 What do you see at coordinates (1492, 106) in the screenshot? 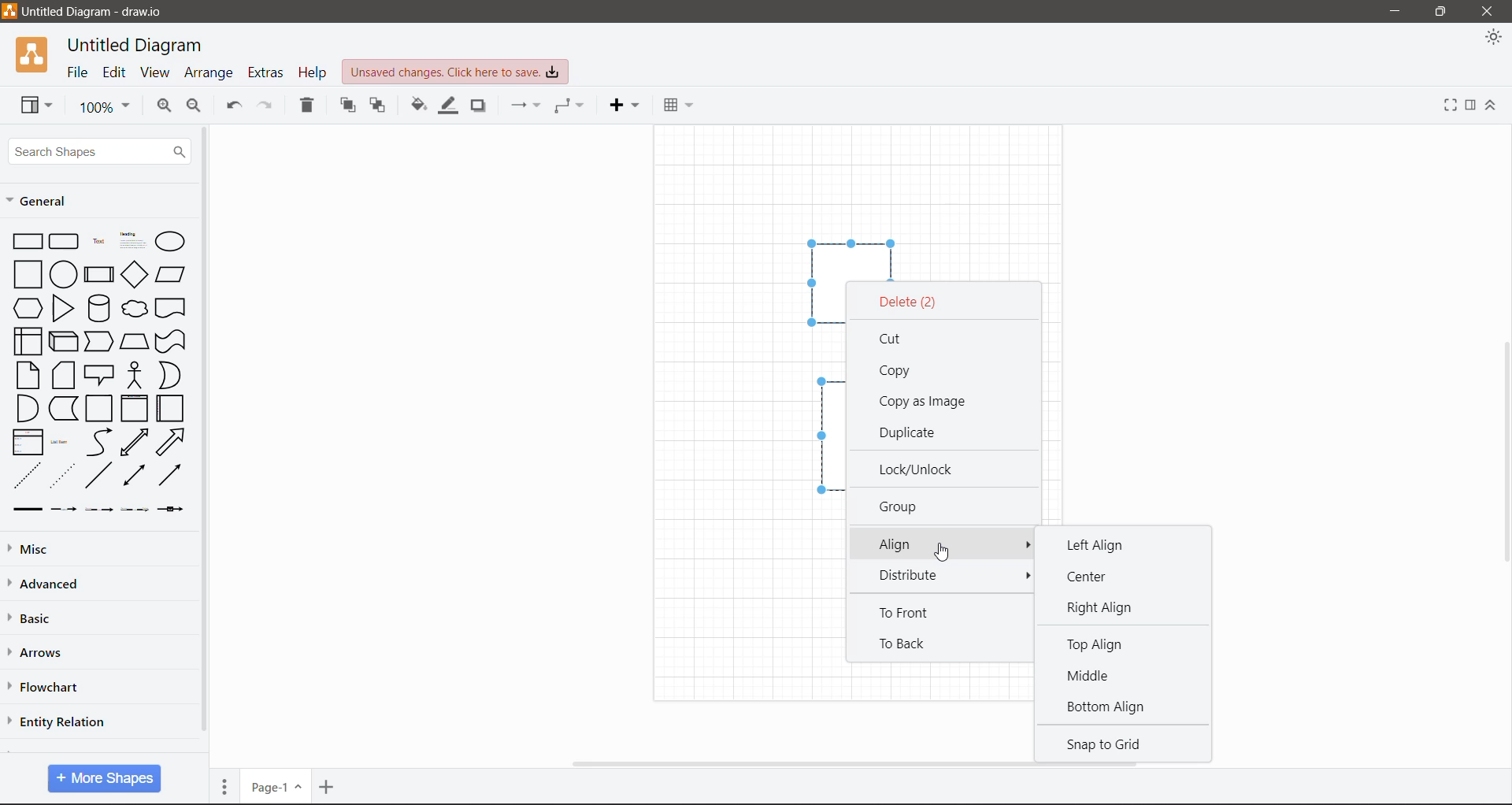
I see `Expand/Collapse` at bounding box center [1492, 106].